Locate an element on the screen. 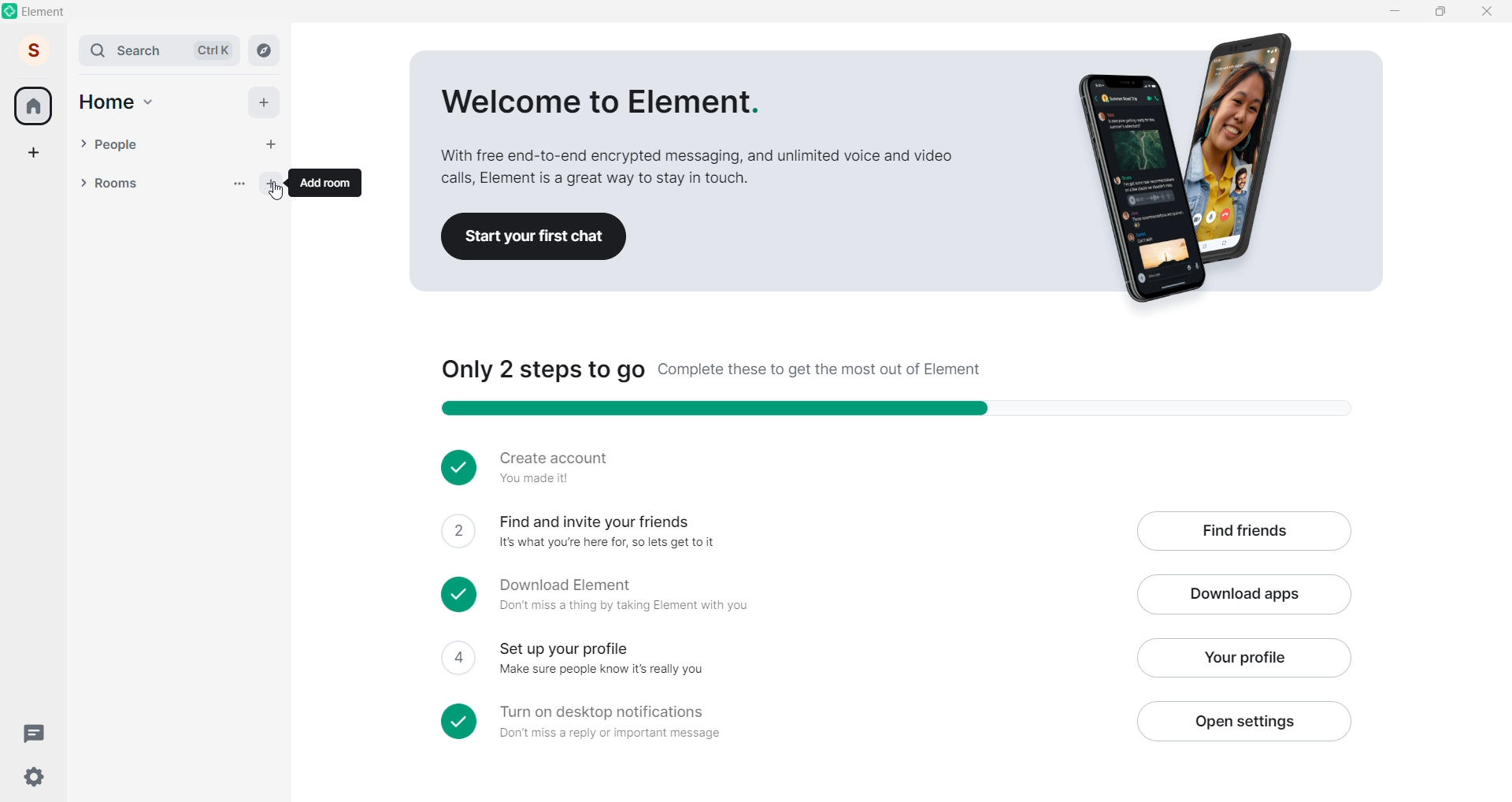 The width and height of the screenshot is (1512, 802). Only 2 steps to gO Complete these to get the most out of Element is located at coordinates (712, 370).